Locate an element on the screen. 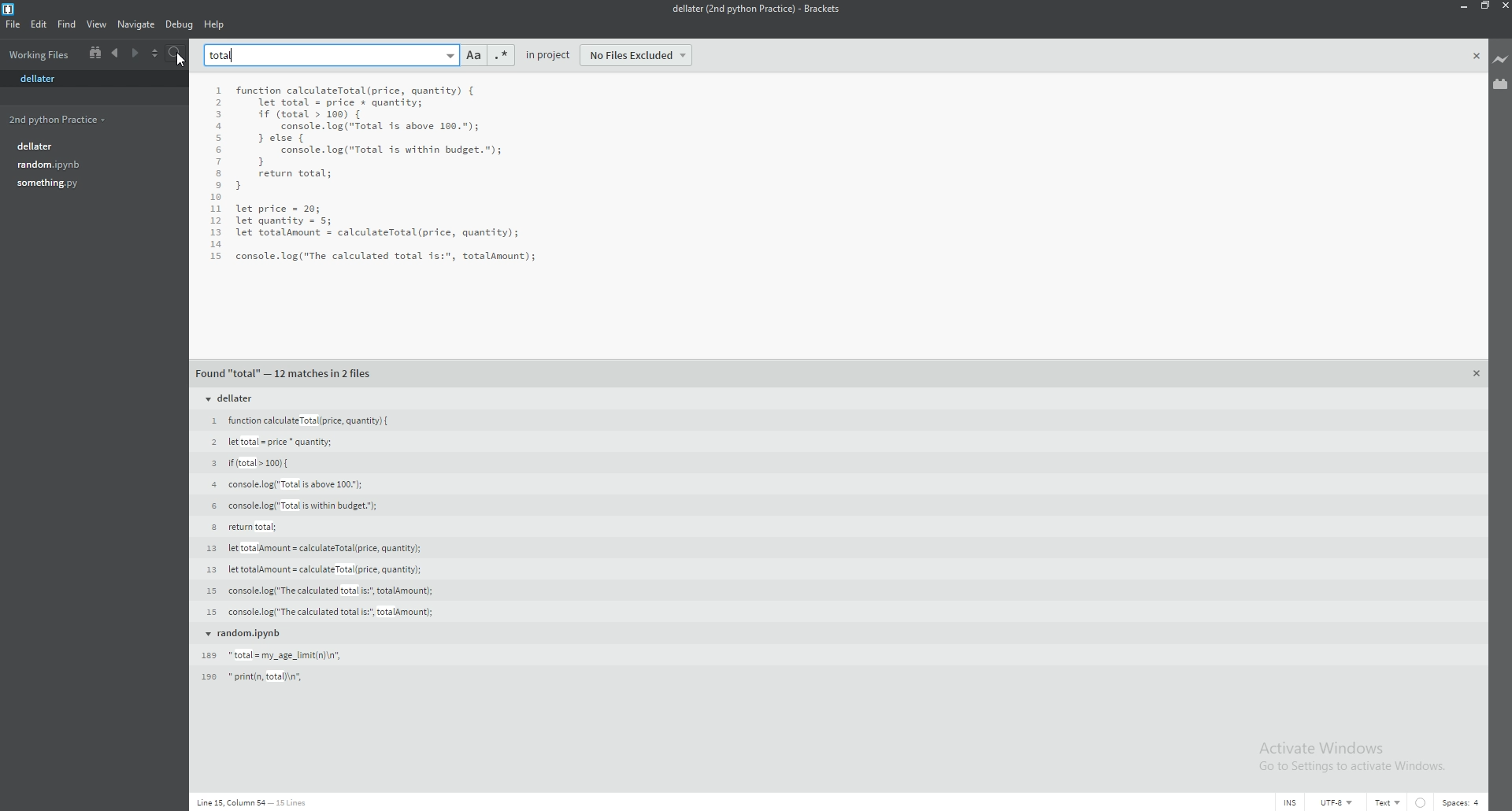  4 console.log("Total is above 100."); is located at coordinates (283, 483).